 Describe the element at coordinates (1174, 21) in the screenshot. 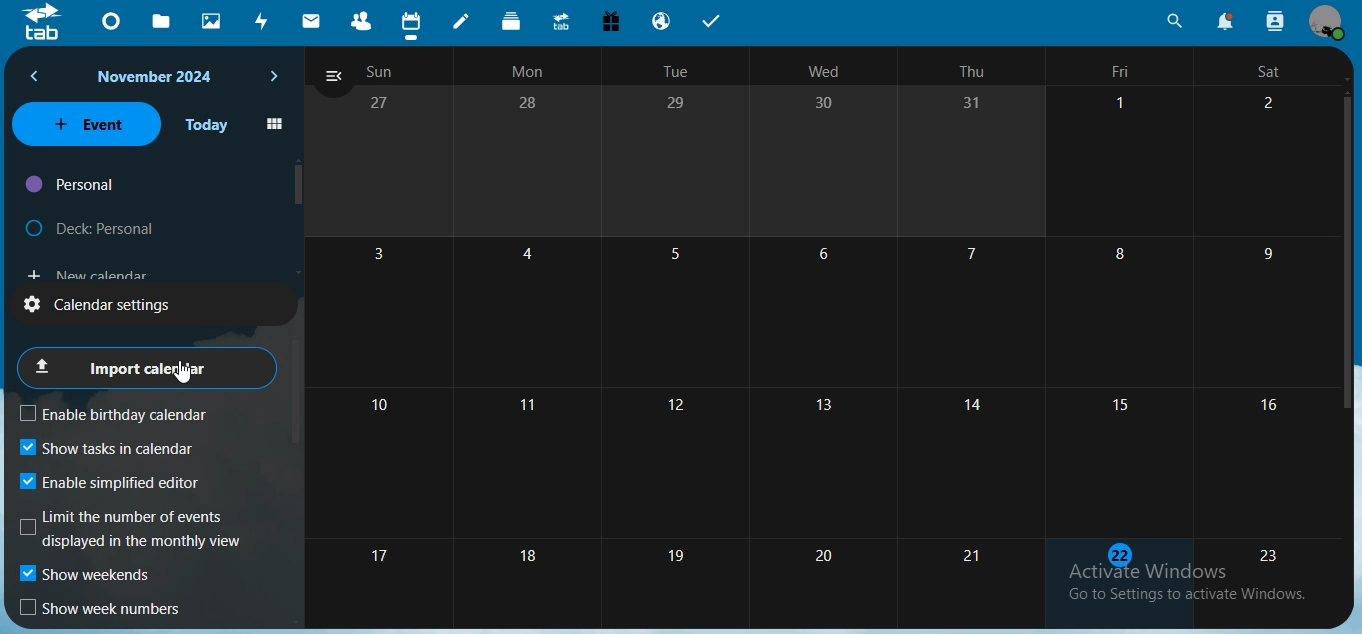

I see `search` at that location.